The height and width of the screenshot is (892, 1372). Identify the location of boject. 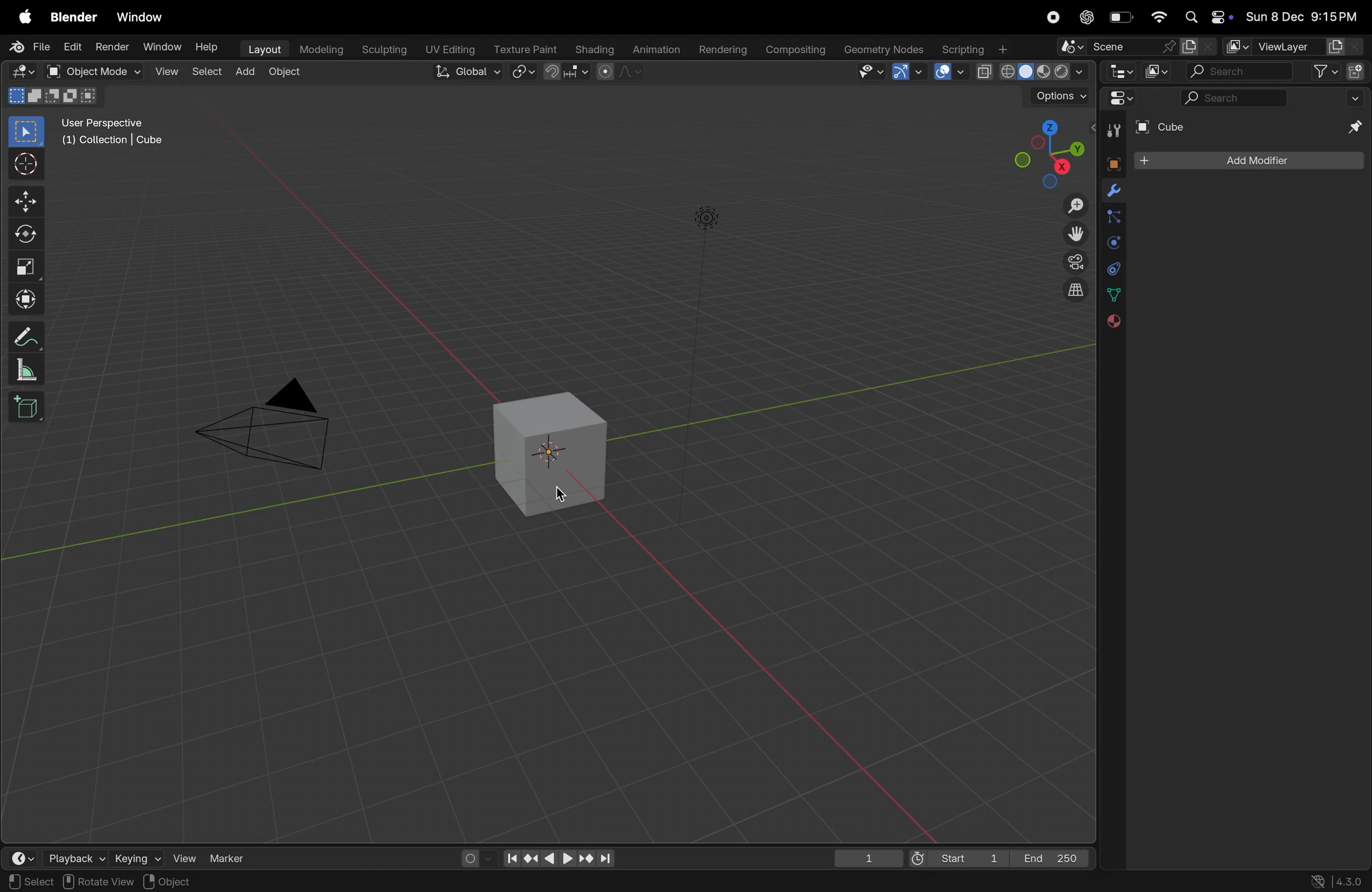
(556, 453).